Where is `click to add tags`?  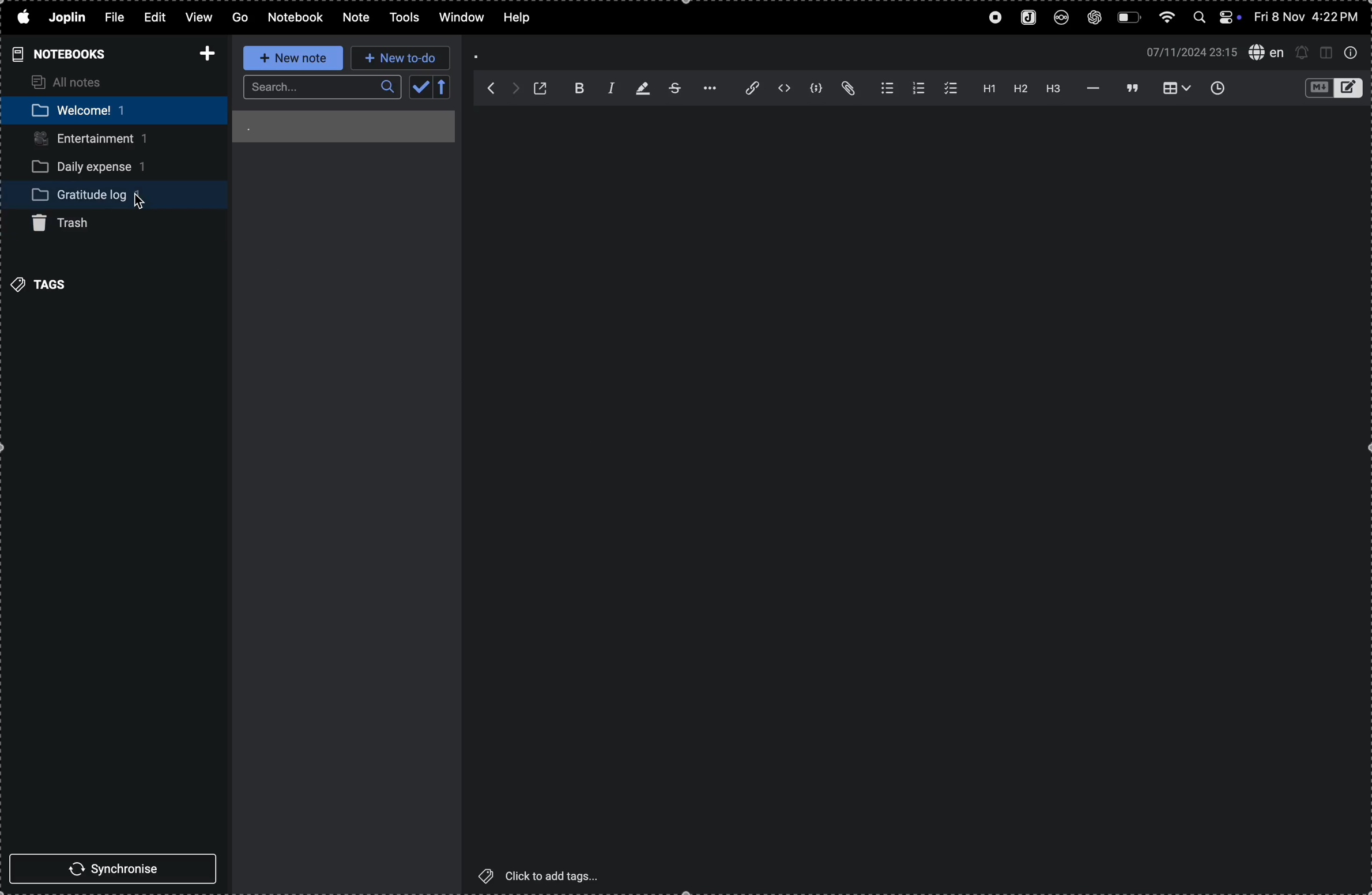 click to add tags is located at coordinates (544, 876).